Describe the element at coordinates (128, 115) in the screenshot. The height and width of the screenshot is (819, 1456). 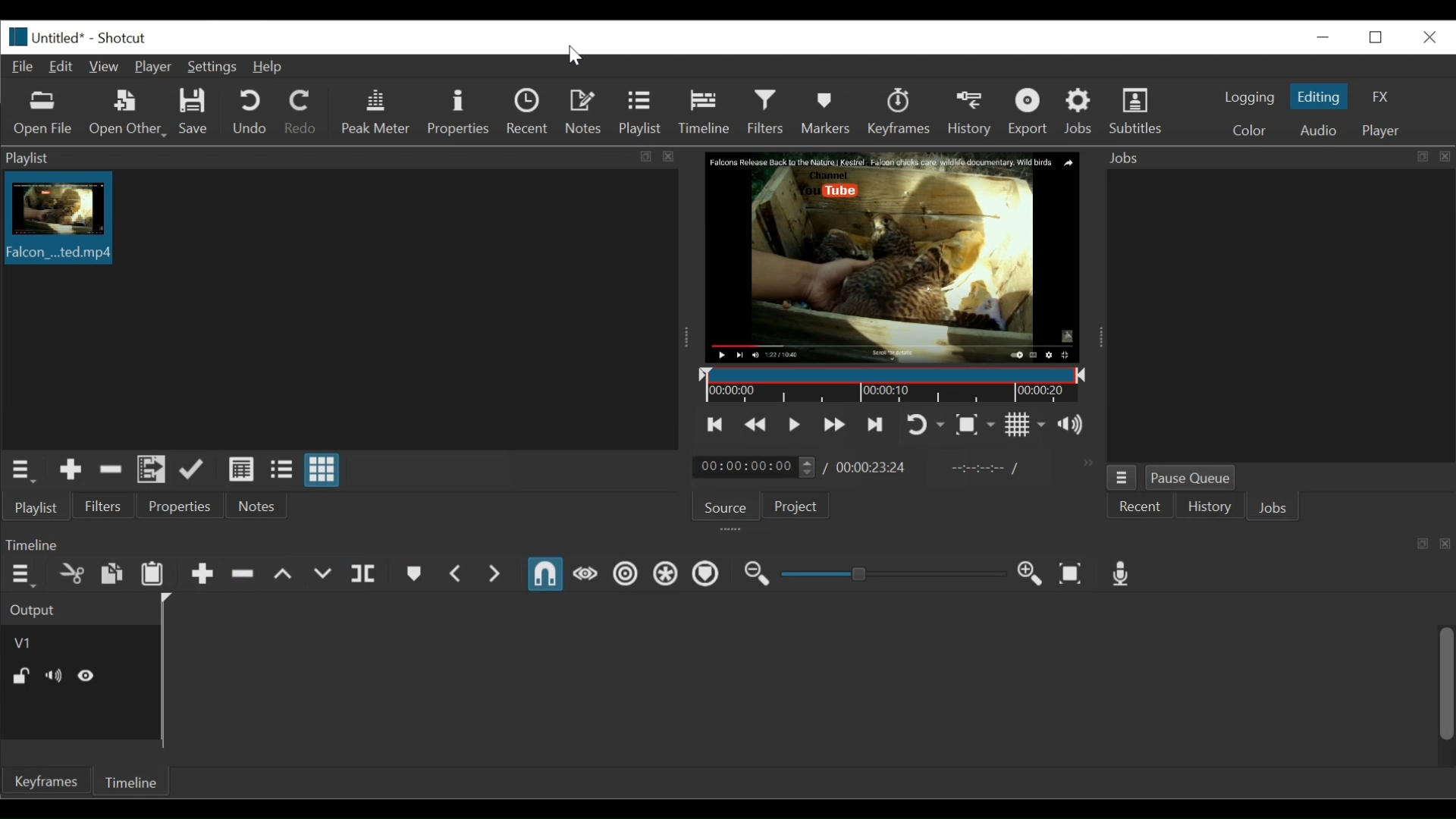
I see `Open Other` at that location.